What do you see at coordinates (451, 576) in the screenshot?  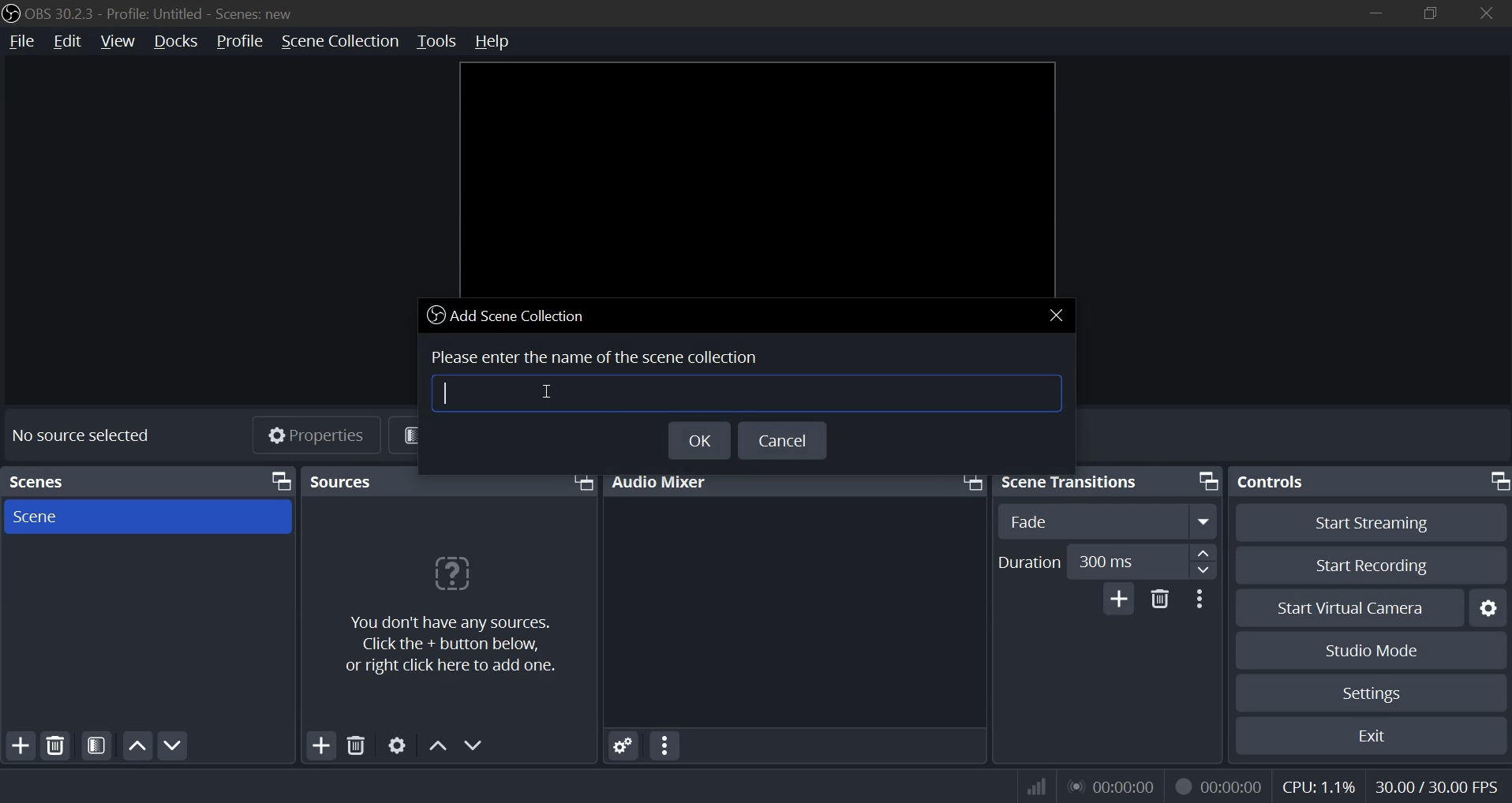 I see `question mark icon` at bounding box center [451, 576].